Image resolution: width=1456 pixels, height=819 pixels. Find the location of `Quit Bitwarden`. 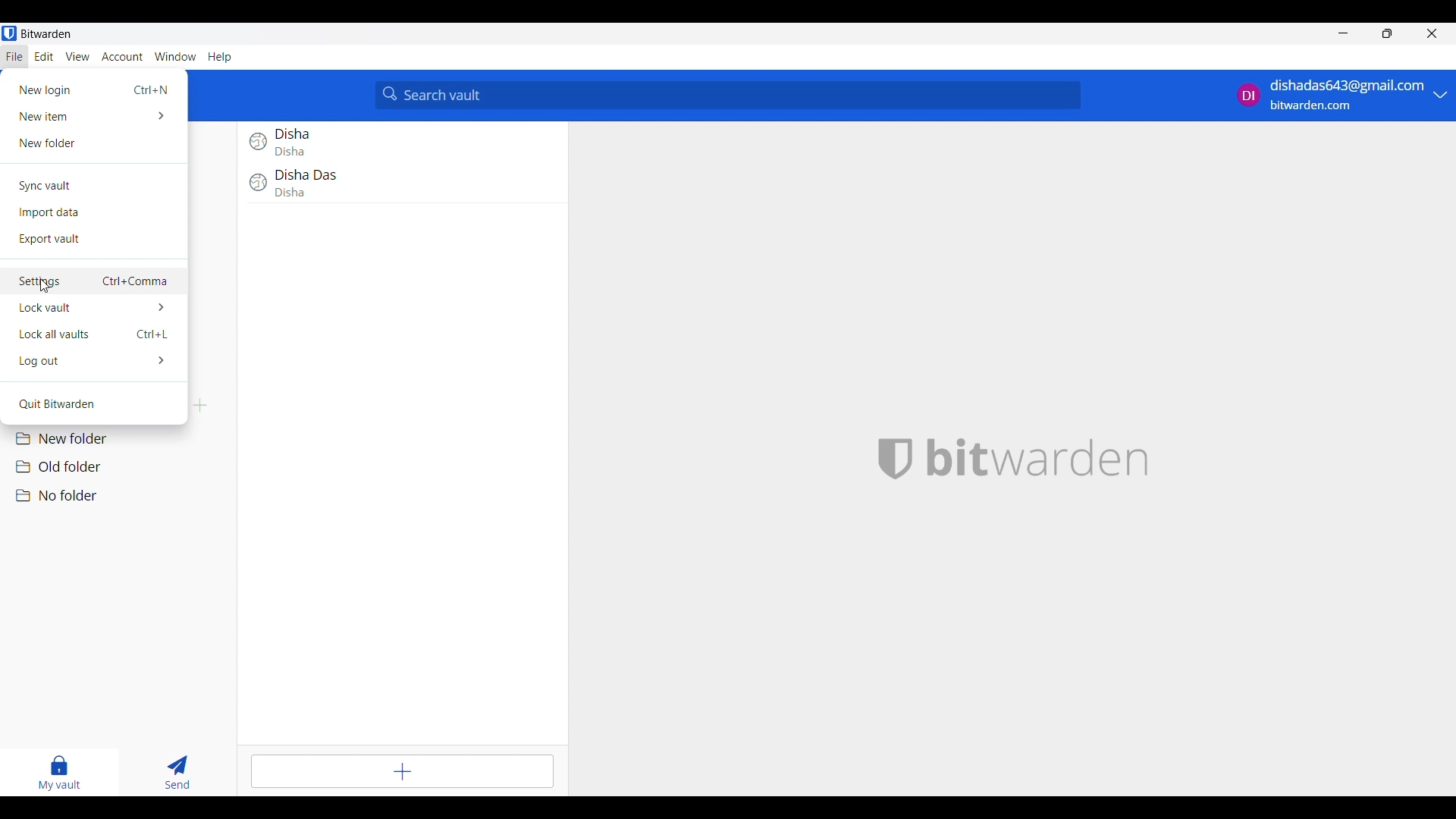

Quit Bitwarden is located at coordinates (94, 405).